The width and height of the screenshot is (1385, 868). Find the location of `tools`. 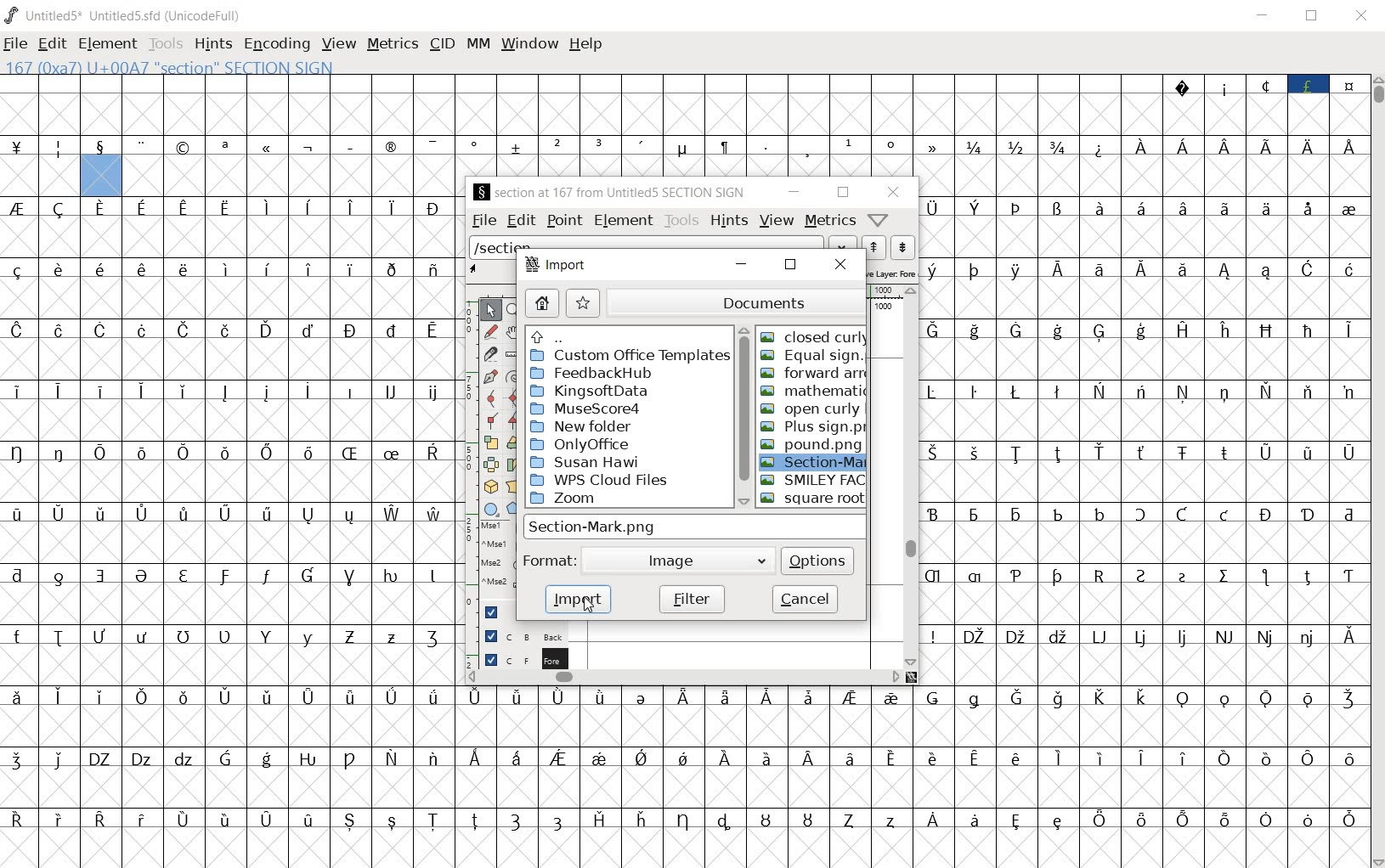

tools is located at coordinates (683, 221).